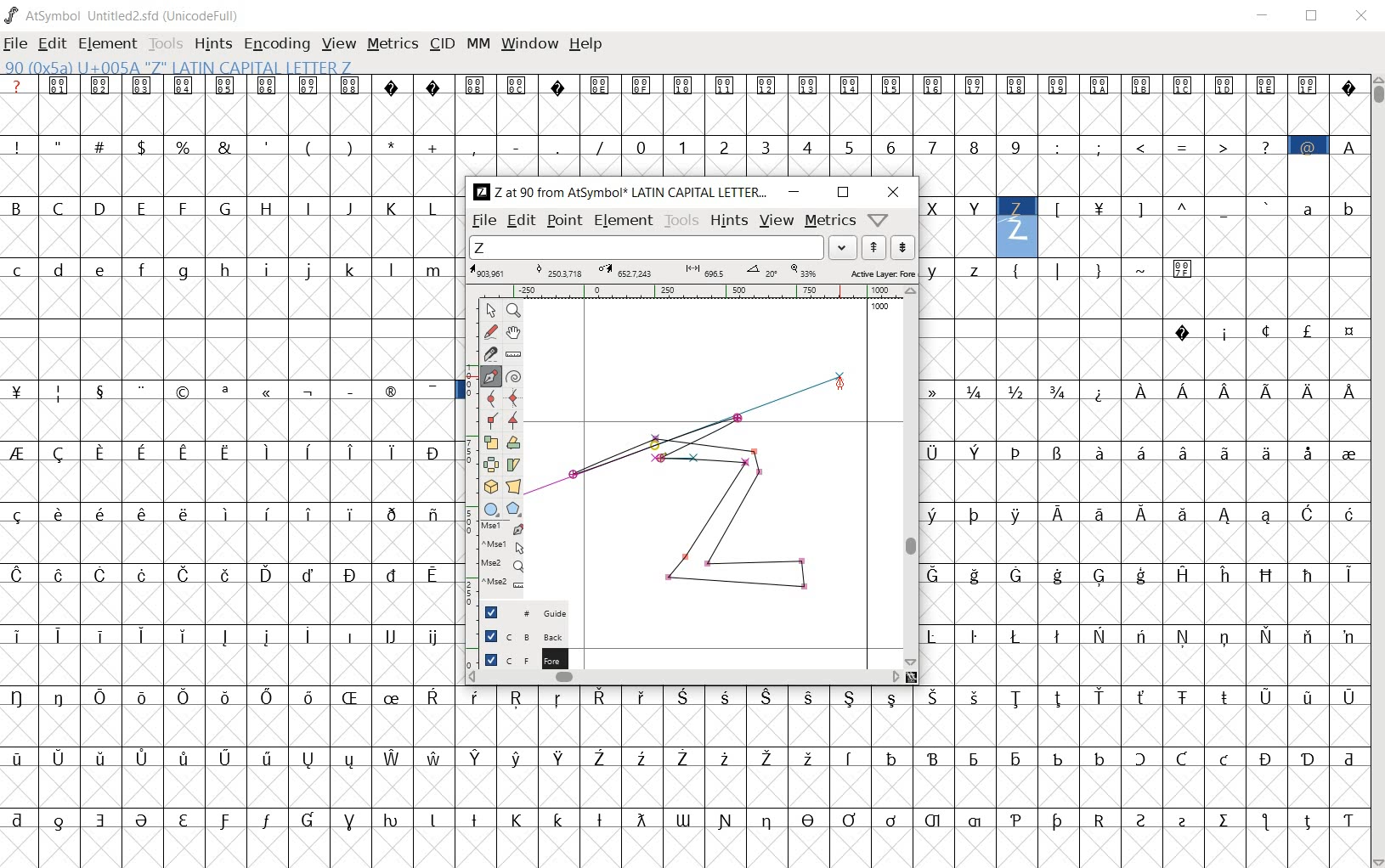 The width and height of the screenshot is (1385, 868). Describe the element at coordinates (894, 194) in the screenshot. I see `close` at that location.